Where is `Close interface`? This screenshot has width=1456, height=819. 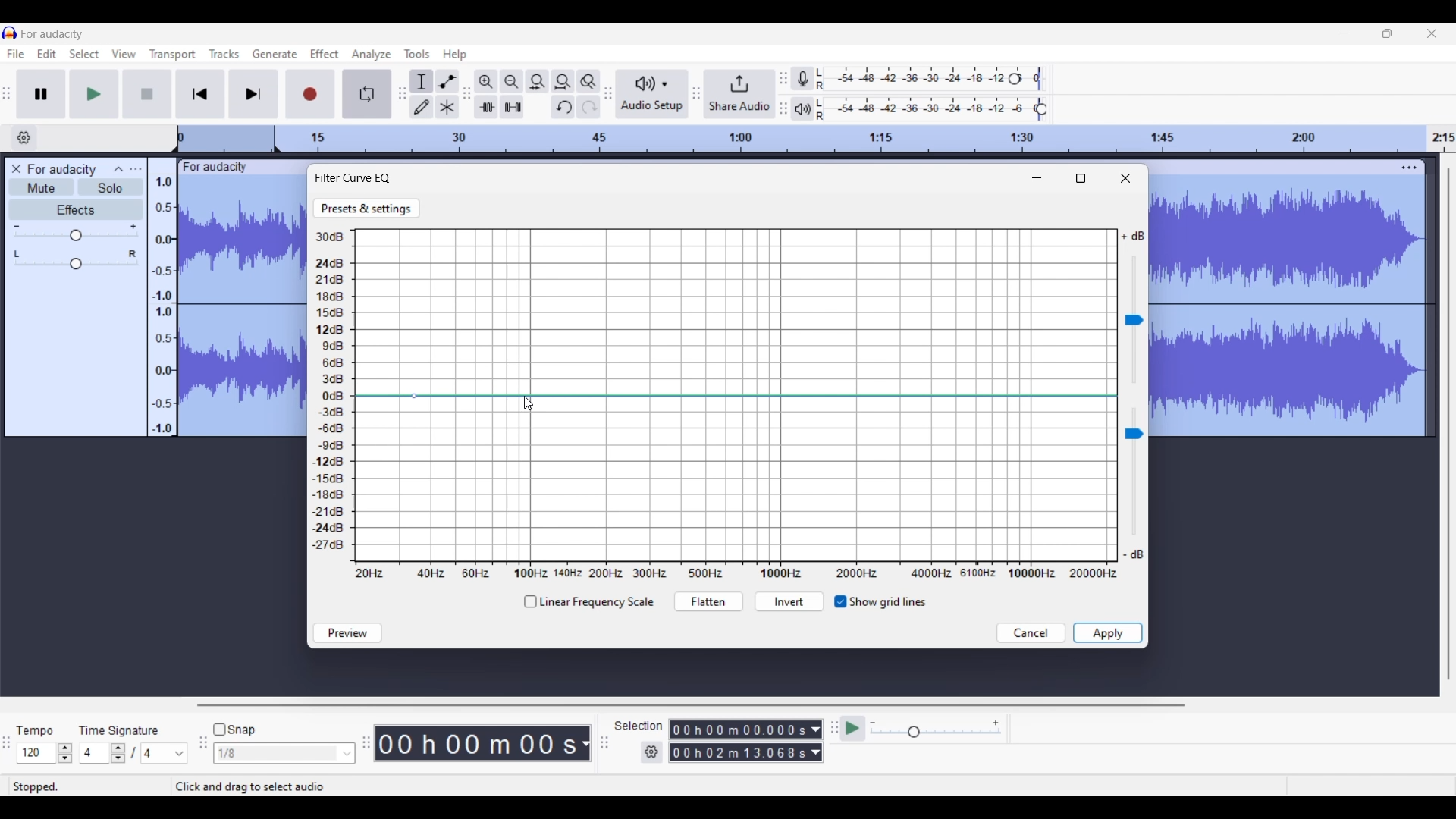 Close interface is located at coordinates (1432, 33).